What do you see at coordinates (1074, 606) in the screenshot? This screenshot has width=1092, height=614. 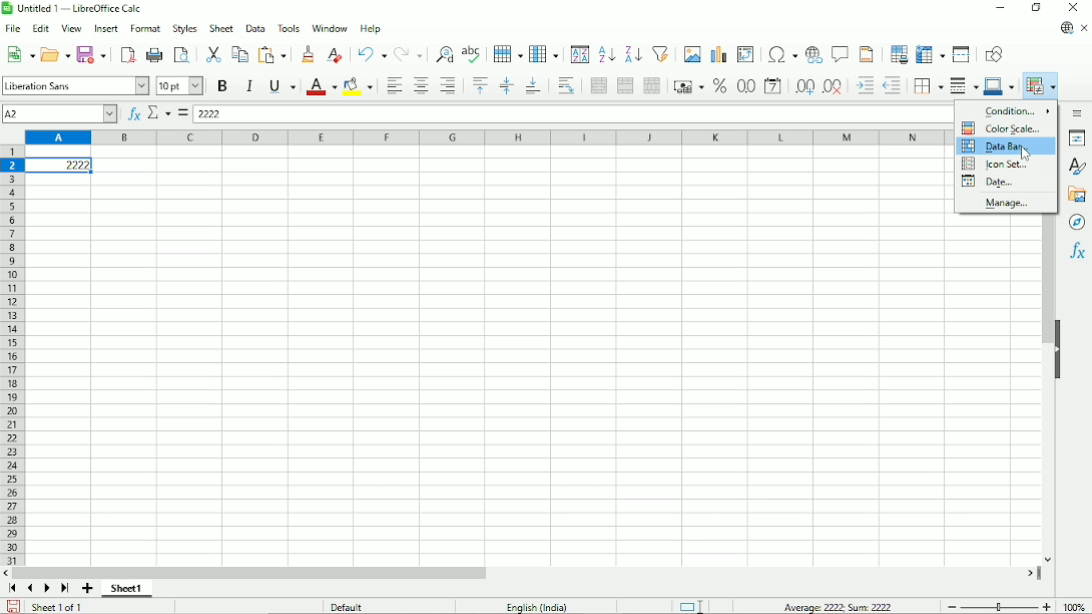 I see `100%` at bounding box center [1074, 606].